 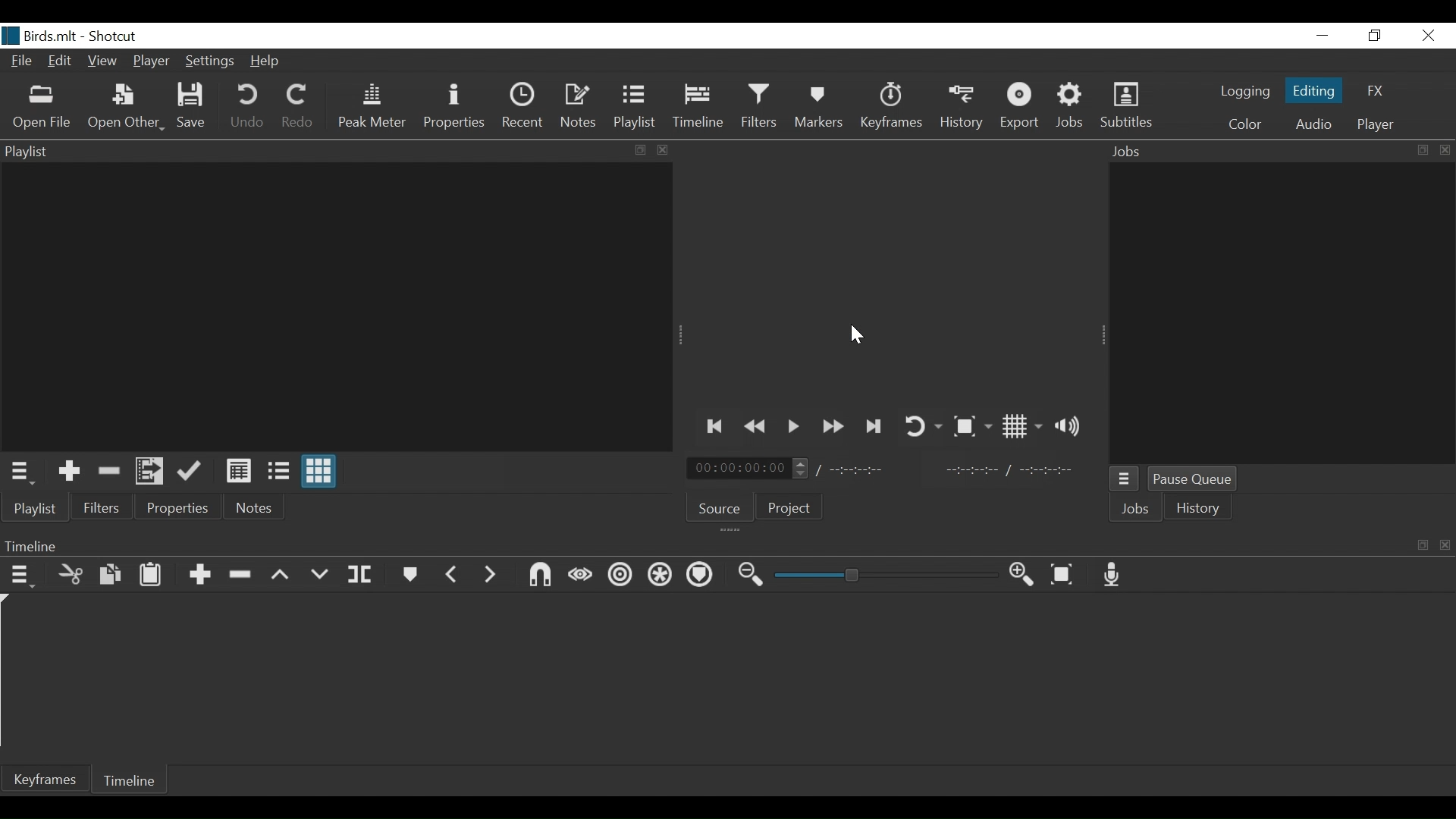 What do you see at coordinates (922, 425) in the screenshot?
I see `Toggle player looping` at bounding box center [922, 425].